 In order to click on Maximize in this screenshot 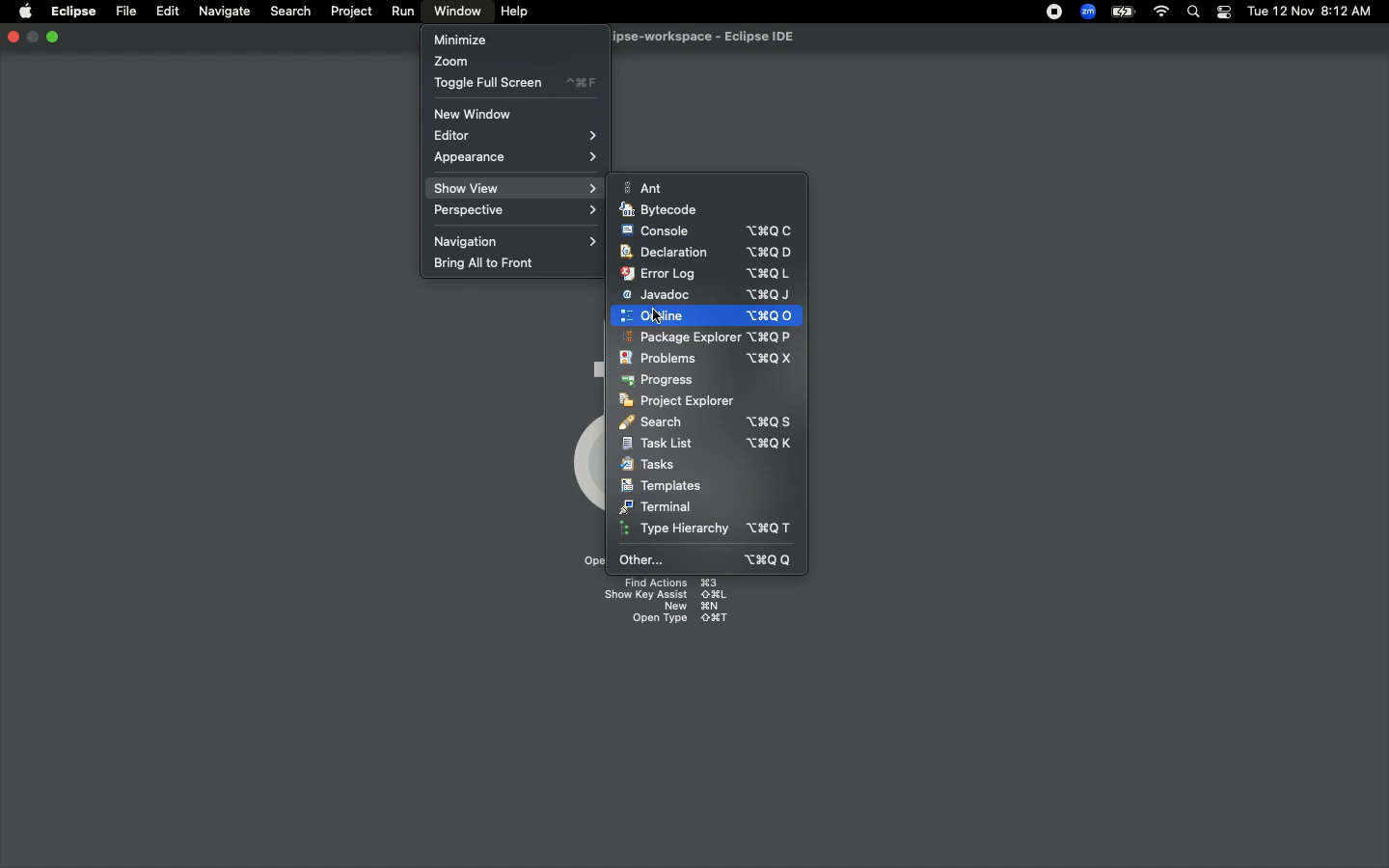, I will do `click(53, 38)`.